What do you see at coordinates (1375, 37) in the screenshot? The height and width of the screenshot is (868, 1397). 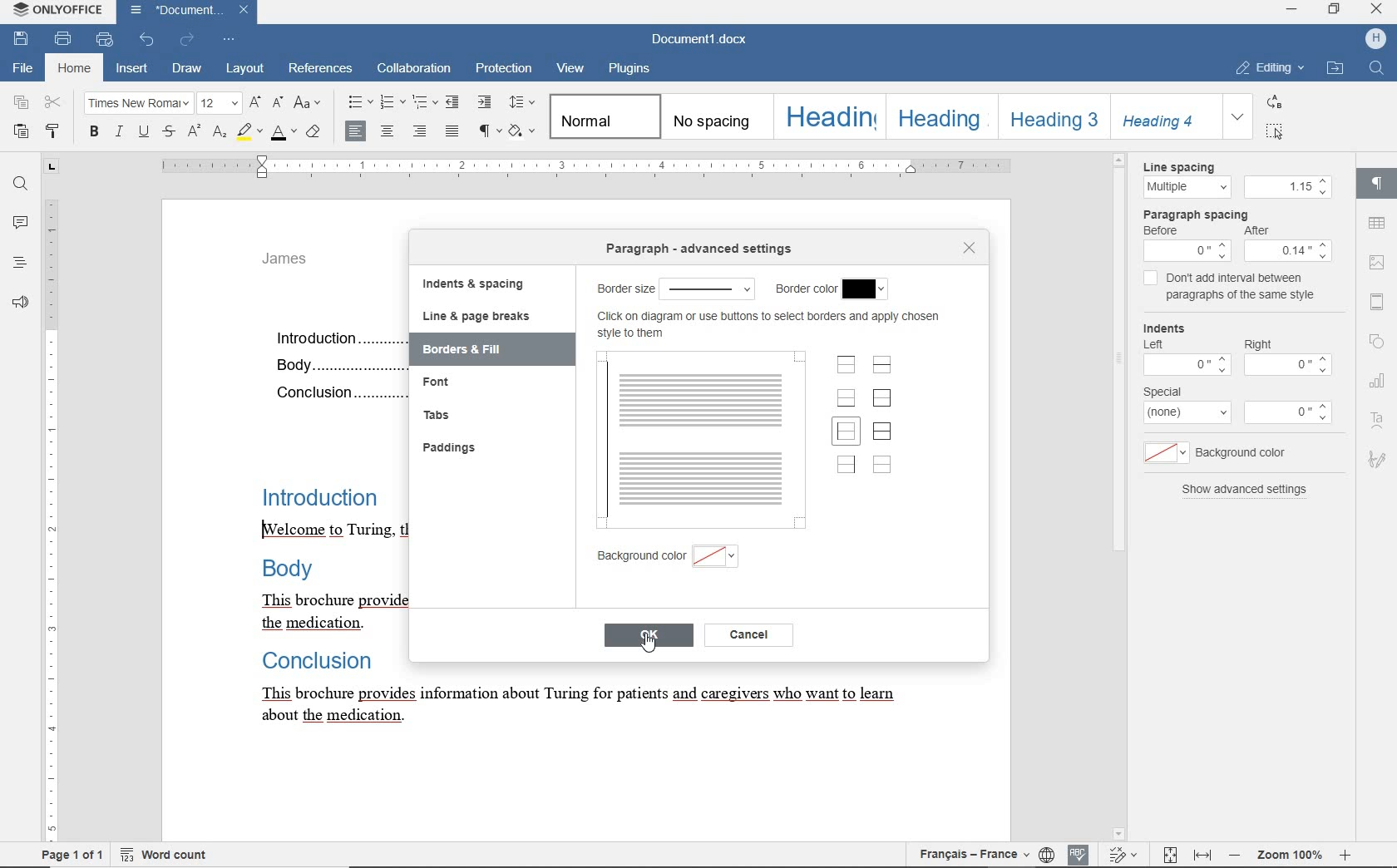 I see `icon` at bounding box center [1375, 37].